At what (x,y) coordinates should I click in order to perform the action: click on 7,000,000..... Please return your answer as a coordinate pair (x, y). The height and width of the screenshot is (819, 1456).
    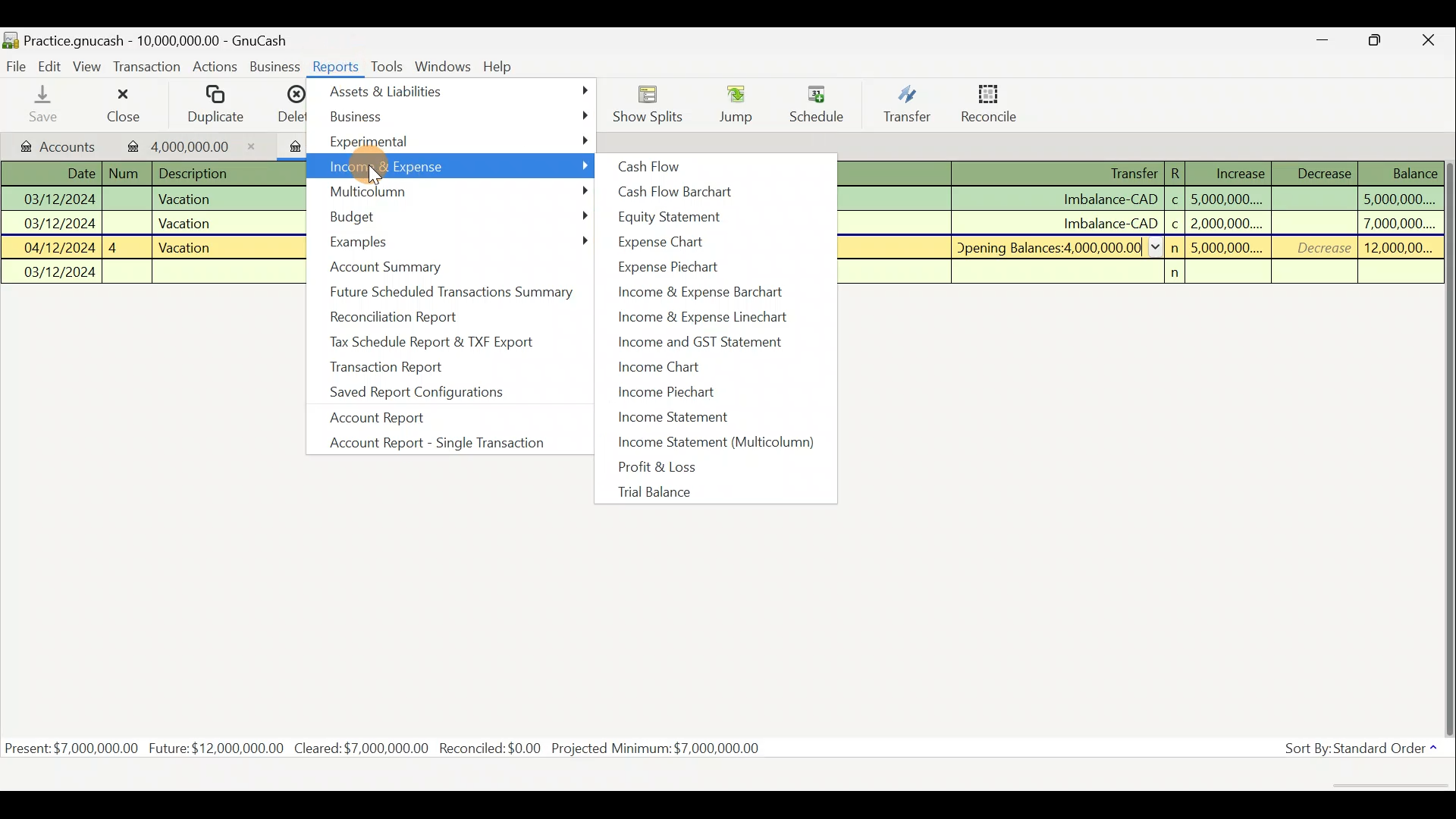
    Looking at the image, I should click on (1399, 223).